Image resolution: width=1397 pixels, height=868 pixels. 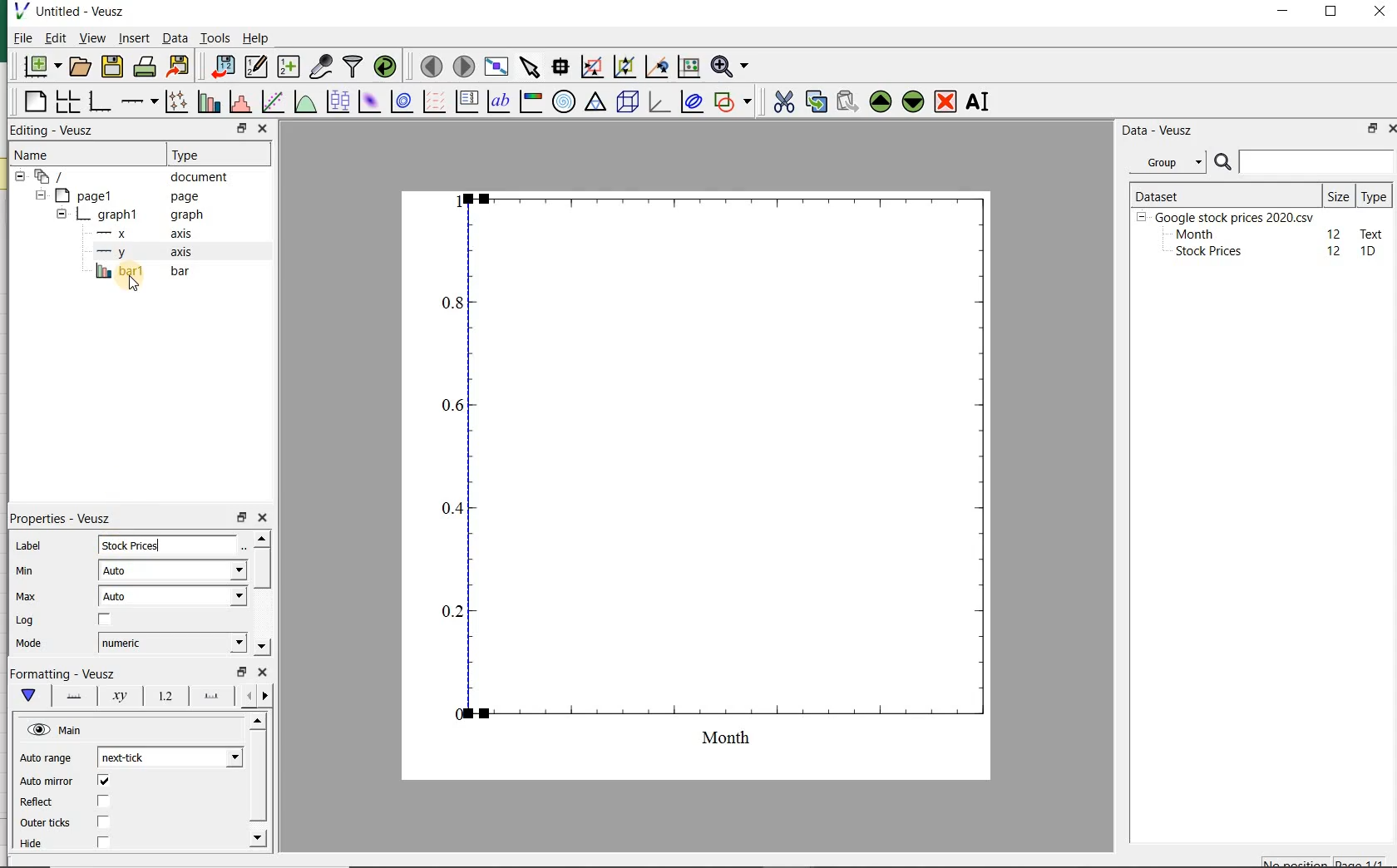 What do you see at coordinates (881, 101) in the screenshot?
I see `move the selected widget up` at bounding box center [881, 101].